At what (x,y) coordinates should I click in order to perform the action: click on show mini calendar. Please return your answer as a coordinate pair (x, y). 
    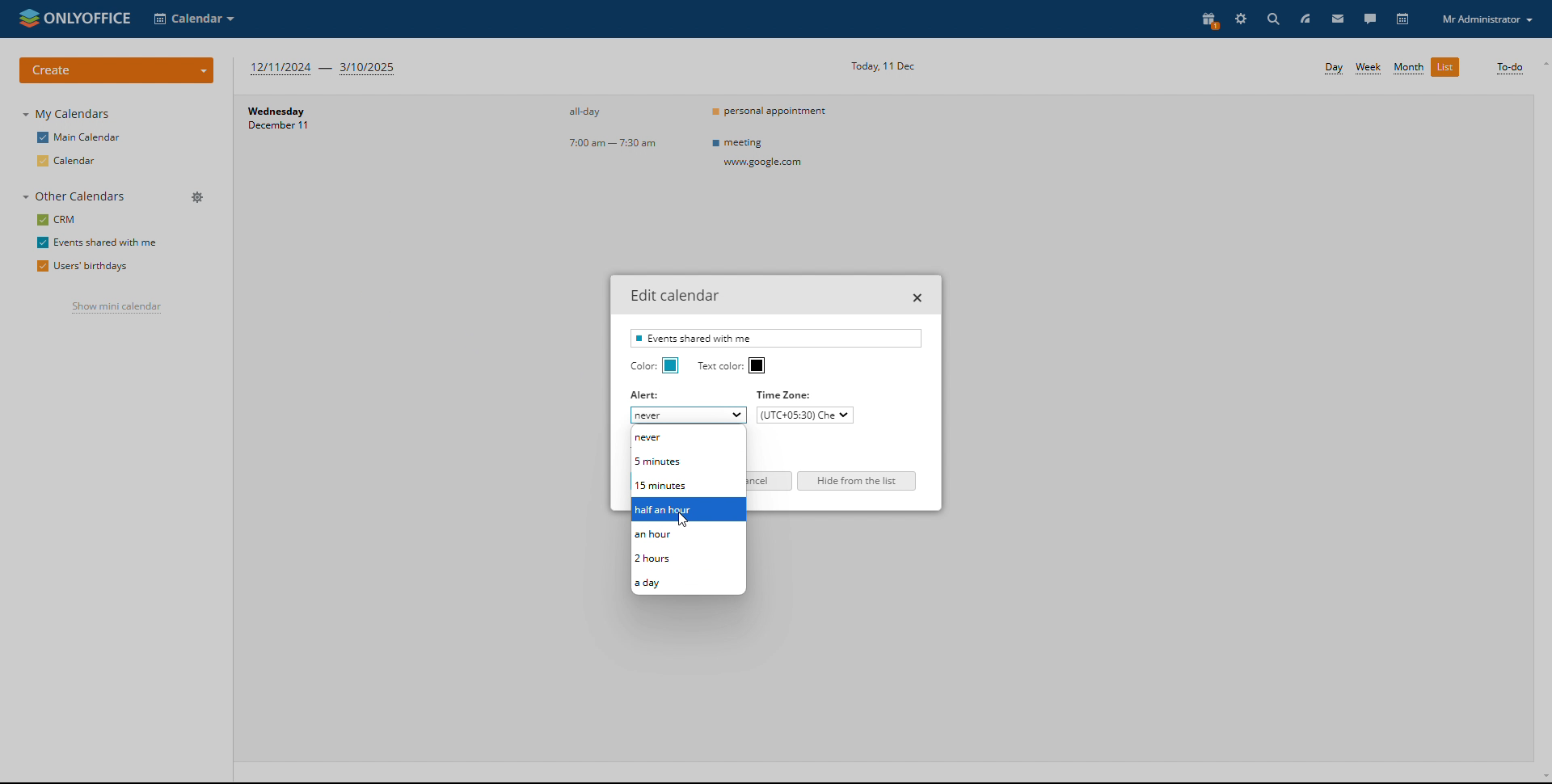
    Looking at the image, I should click on (116, 307).